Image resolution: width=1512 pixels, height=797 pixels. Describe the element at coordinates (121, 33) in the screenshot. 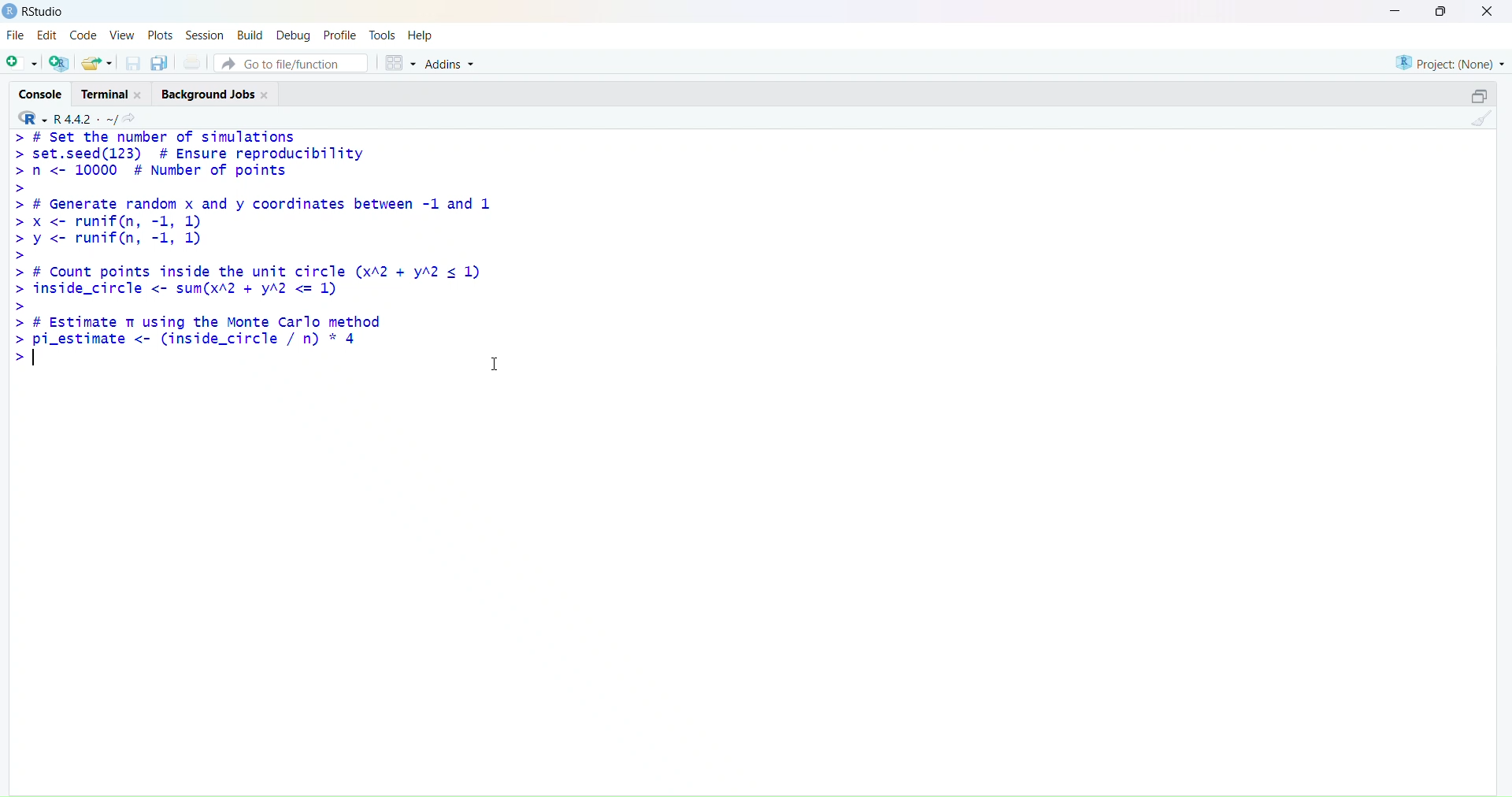

I see `View` at that location.